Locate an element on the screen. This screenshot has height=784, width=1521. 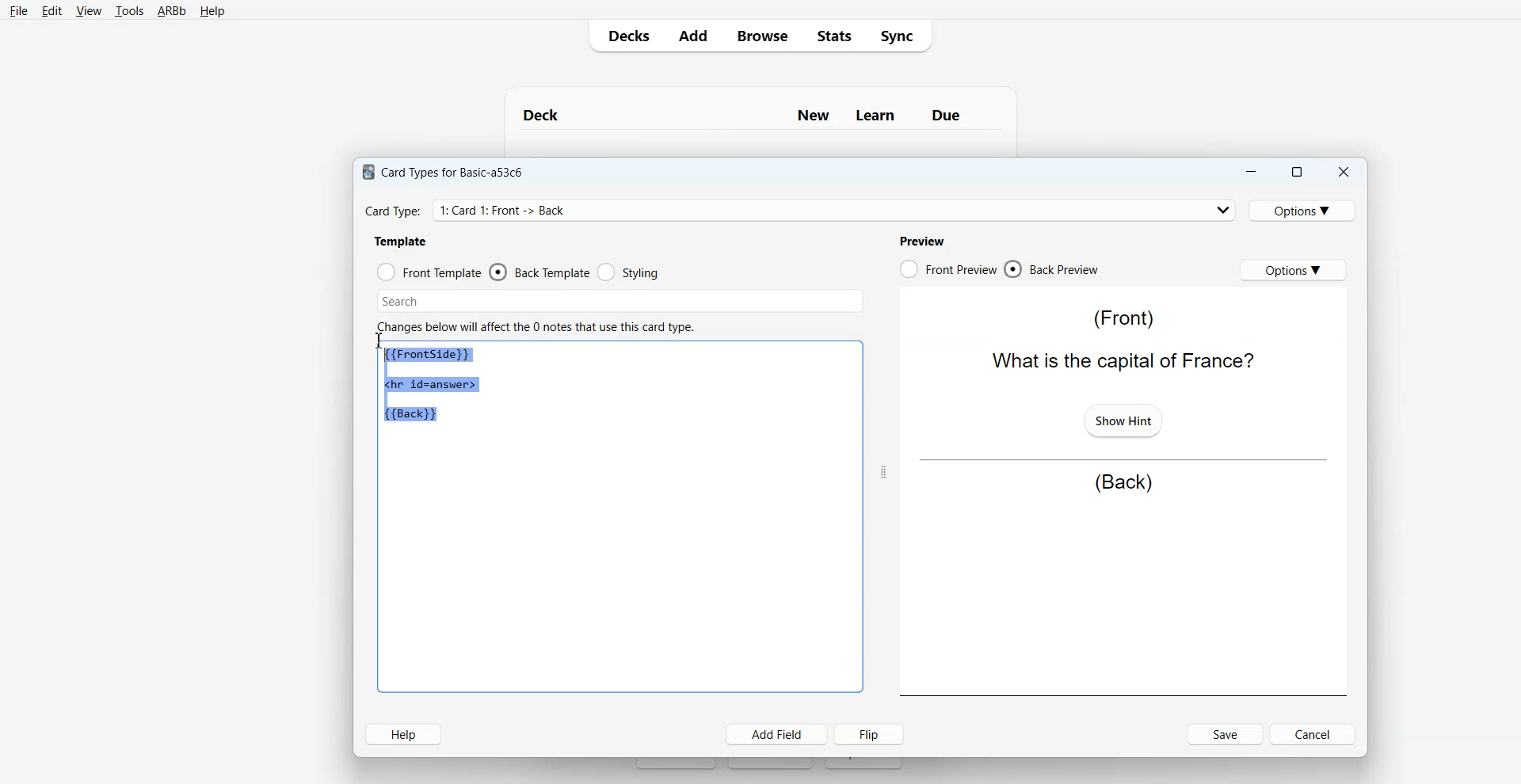
Preview is located at coordinates (921, 241).